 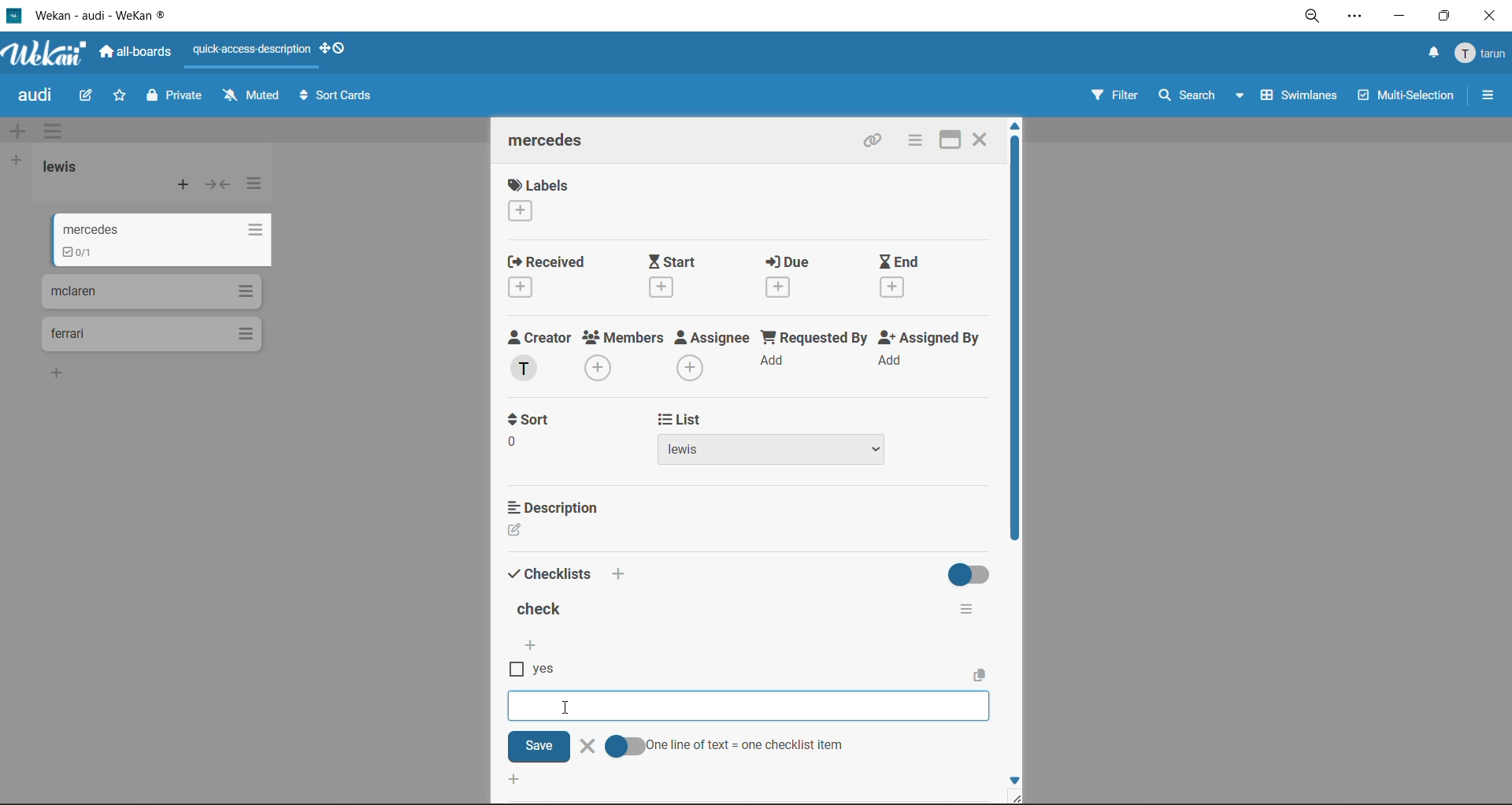 I want to click on app titlew, so click(x=124, y=18).